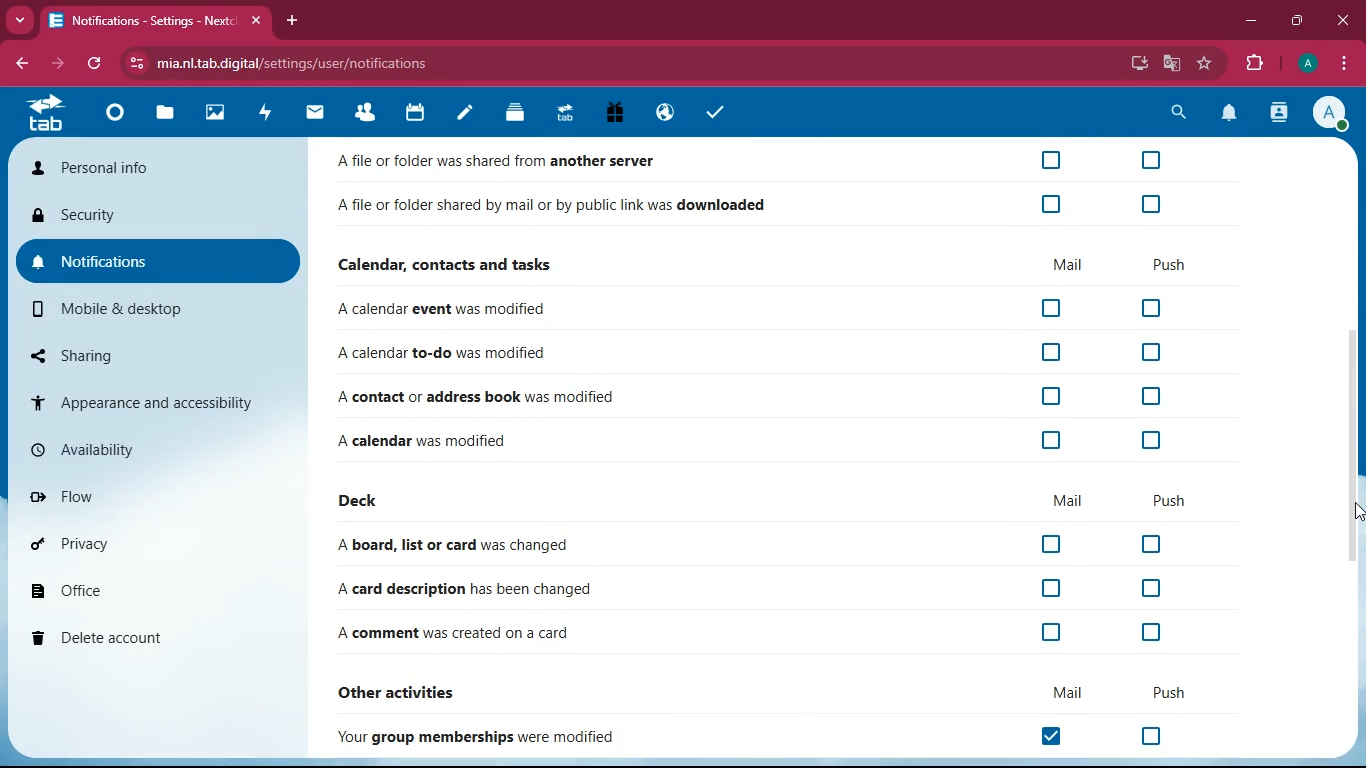  I want to click on friends, so click(370, 112).